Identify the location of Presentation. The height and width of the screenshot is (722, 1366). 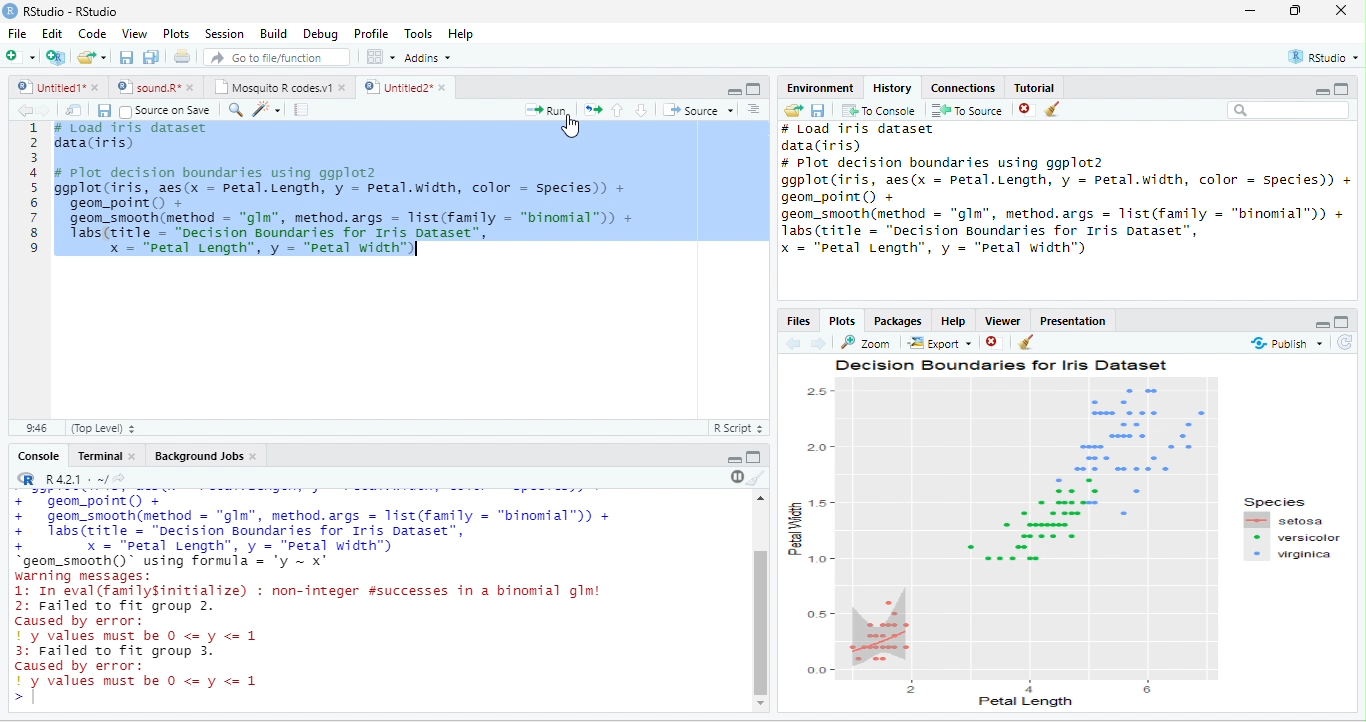
(1074, 321).